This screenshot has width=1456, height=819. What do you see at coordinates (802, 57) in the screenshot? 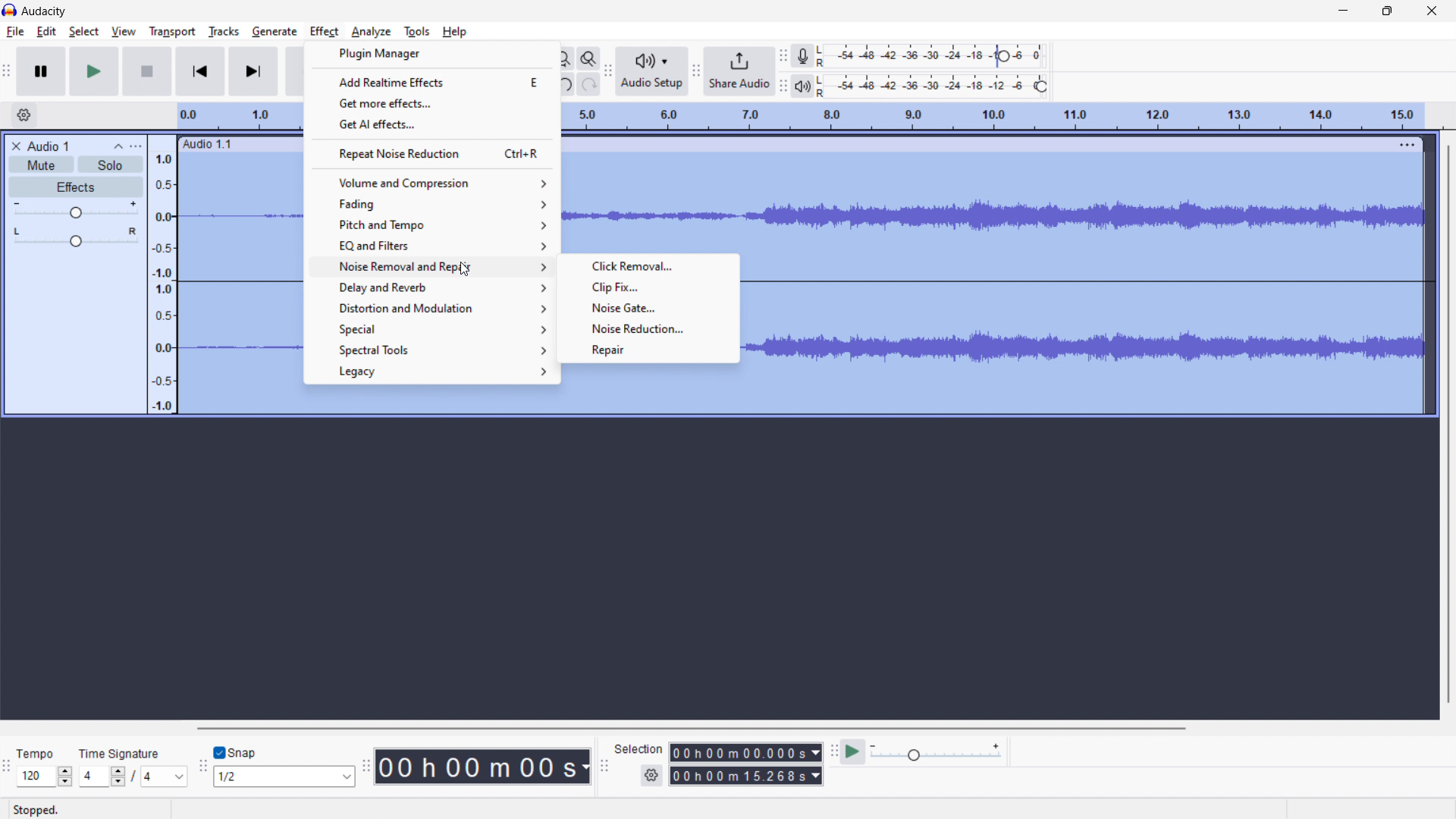
I see `recording meter` at bounding box center [802, 57].